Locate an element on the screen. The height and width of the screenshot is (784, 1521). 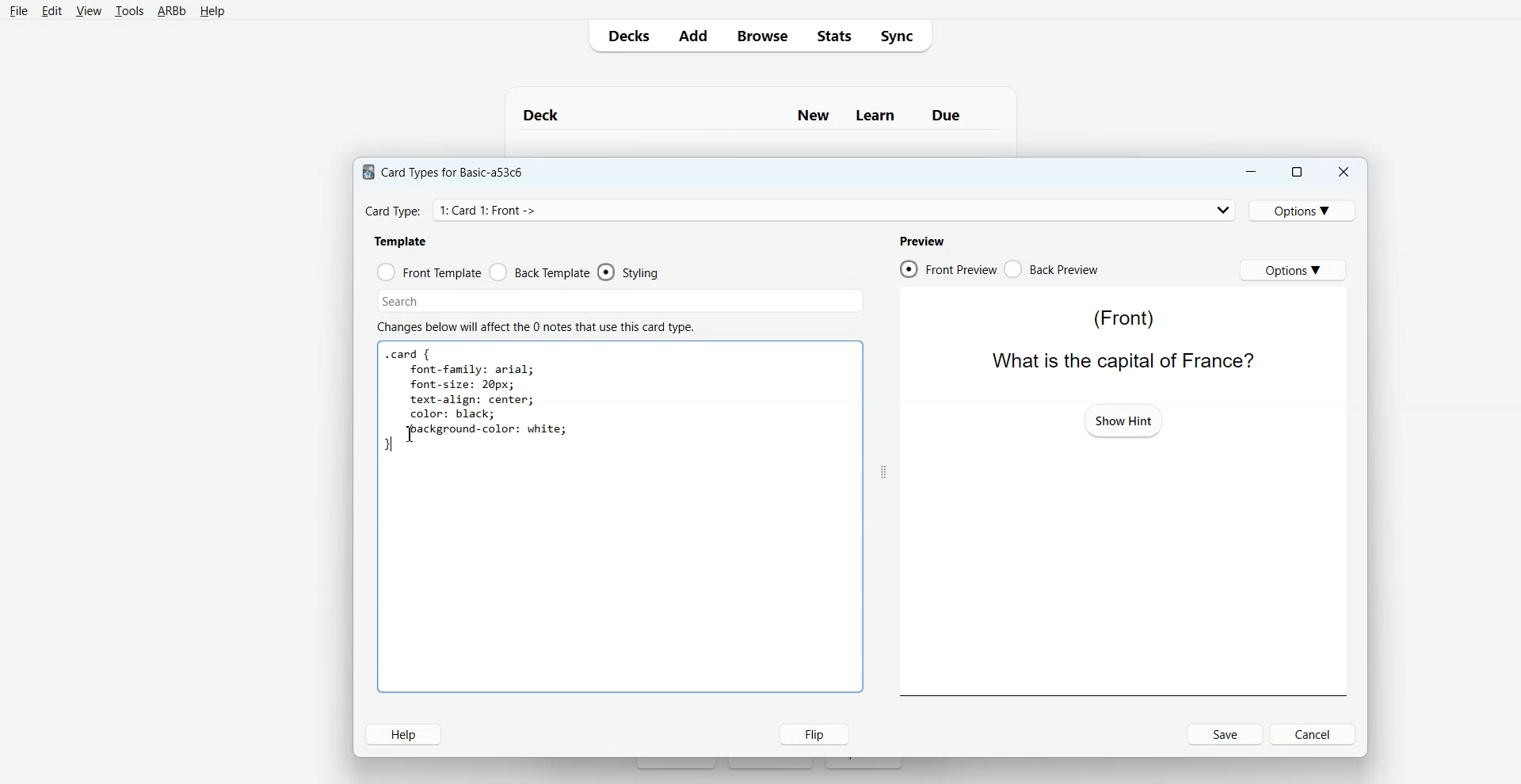
Search Bar is located at coordinates (620, 301).